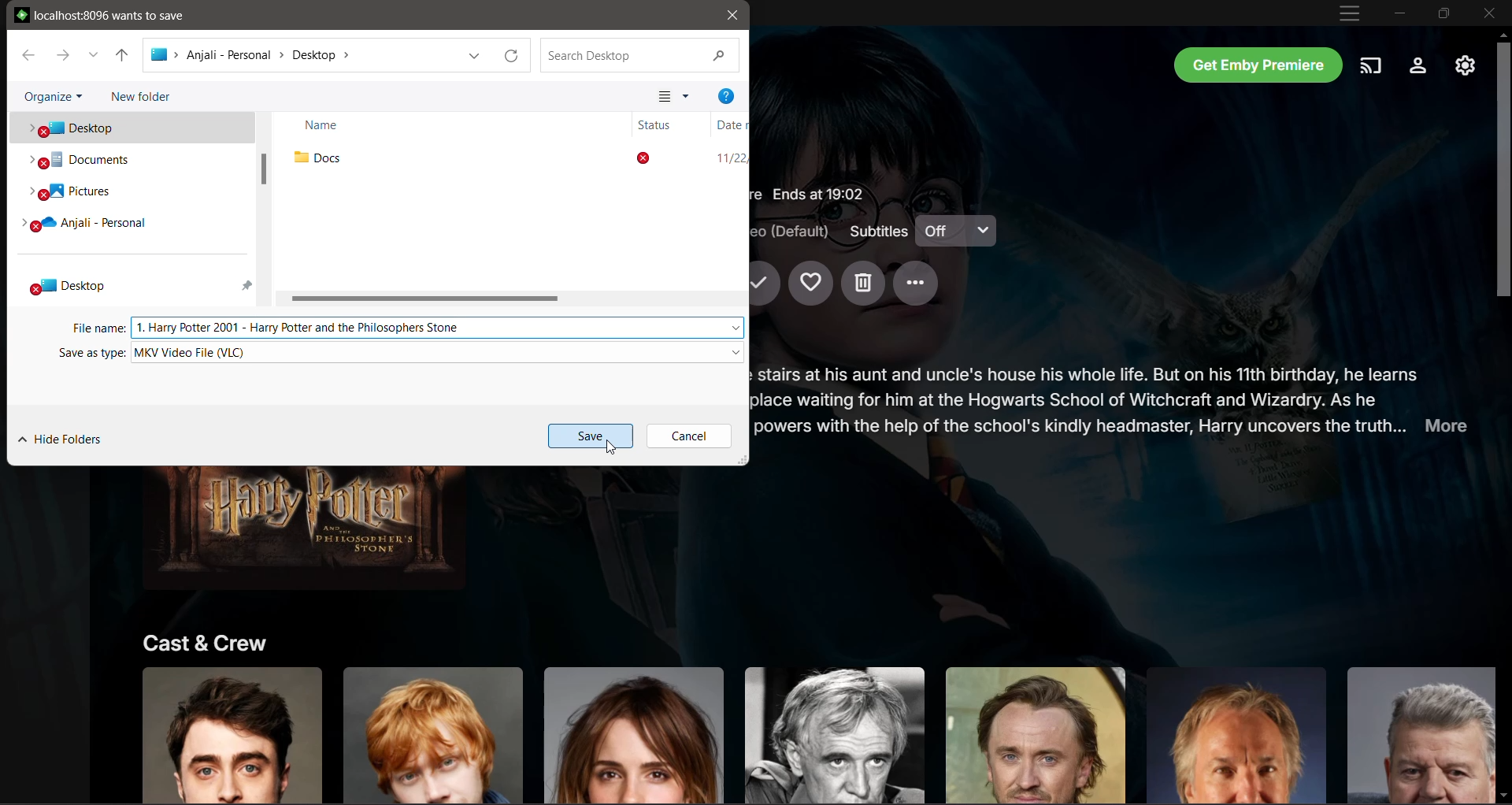 This screenshot has height=805, width=1512. What do you see at coordinates (1373, 65) in the screenshot?
I see `Play on another device` at bounding box center [1373, 65].